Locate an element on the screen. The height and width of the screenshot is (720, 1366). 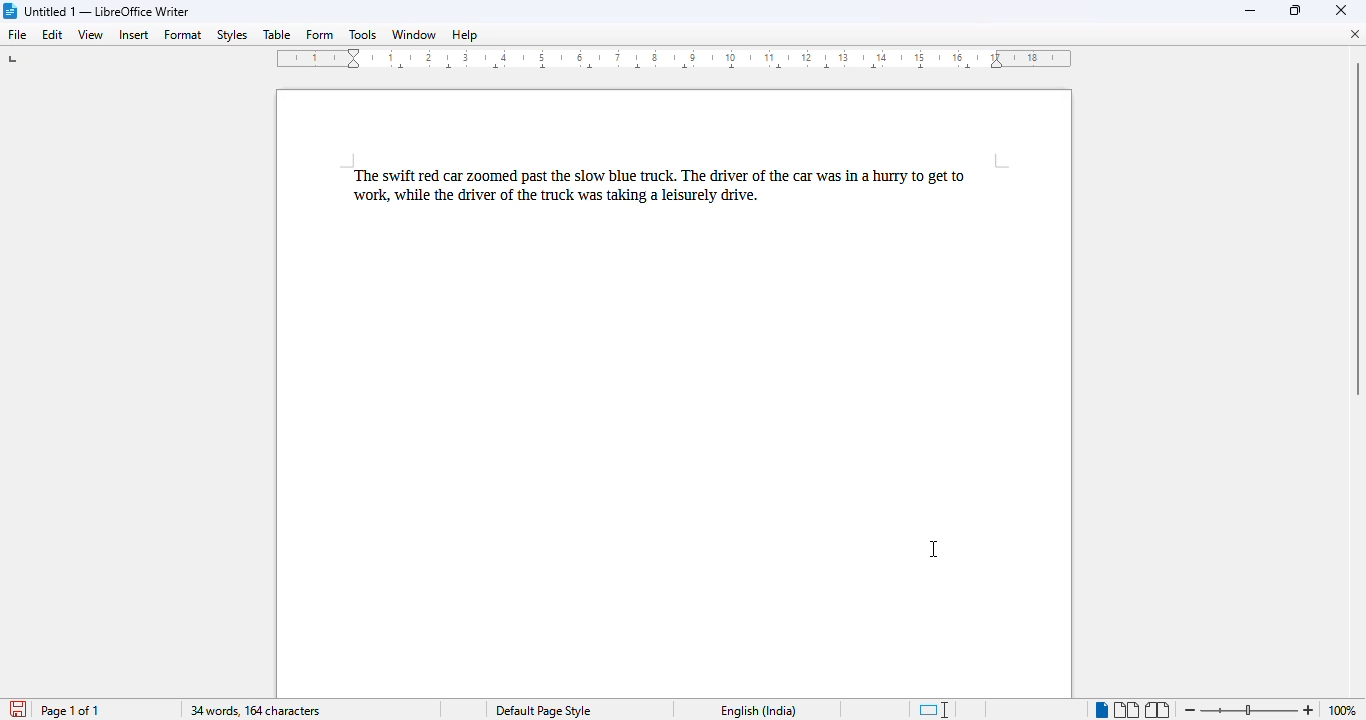
cursor is located at coordinates (936, 549).